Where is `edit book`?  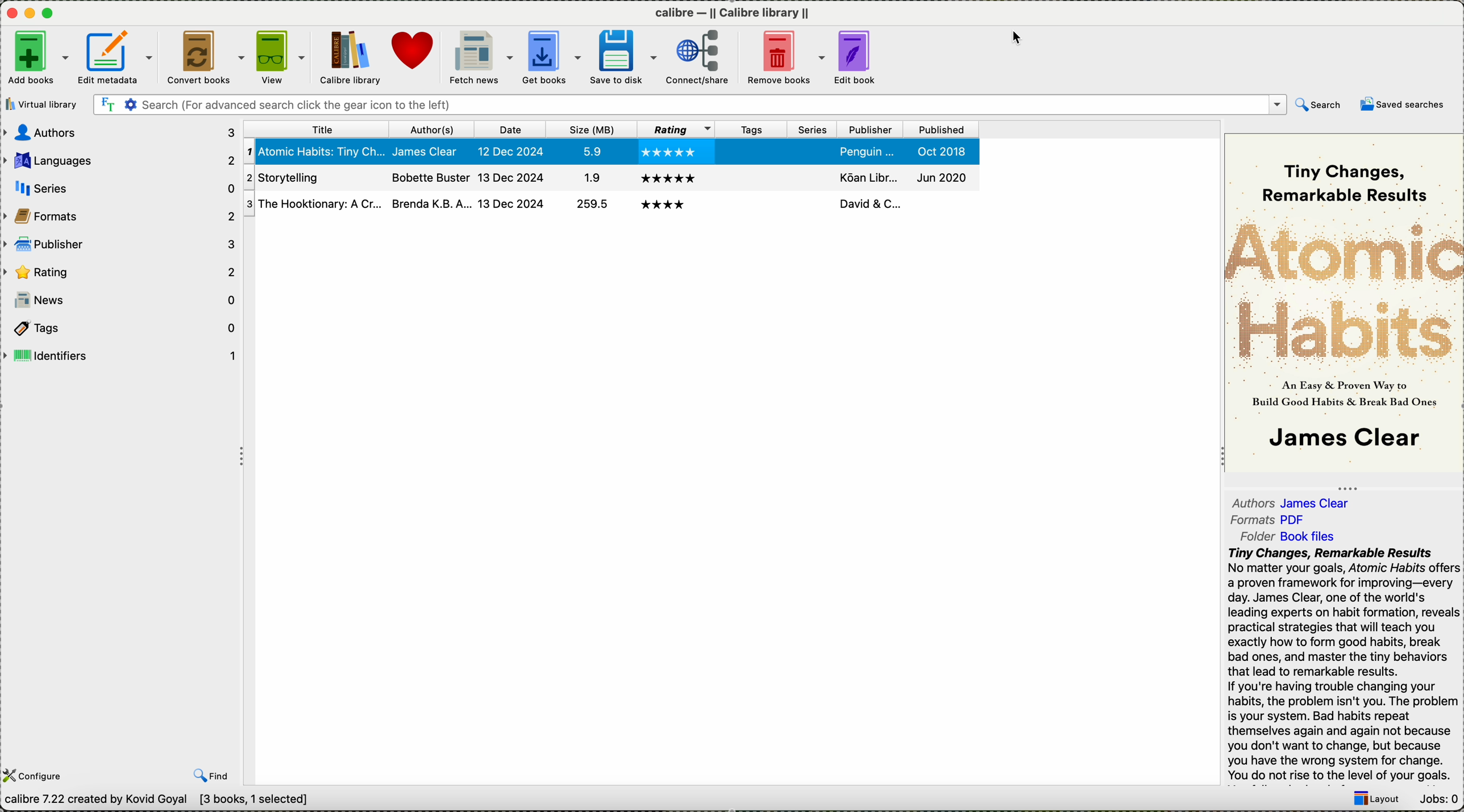
edit book is located at coordinates (858, 57).